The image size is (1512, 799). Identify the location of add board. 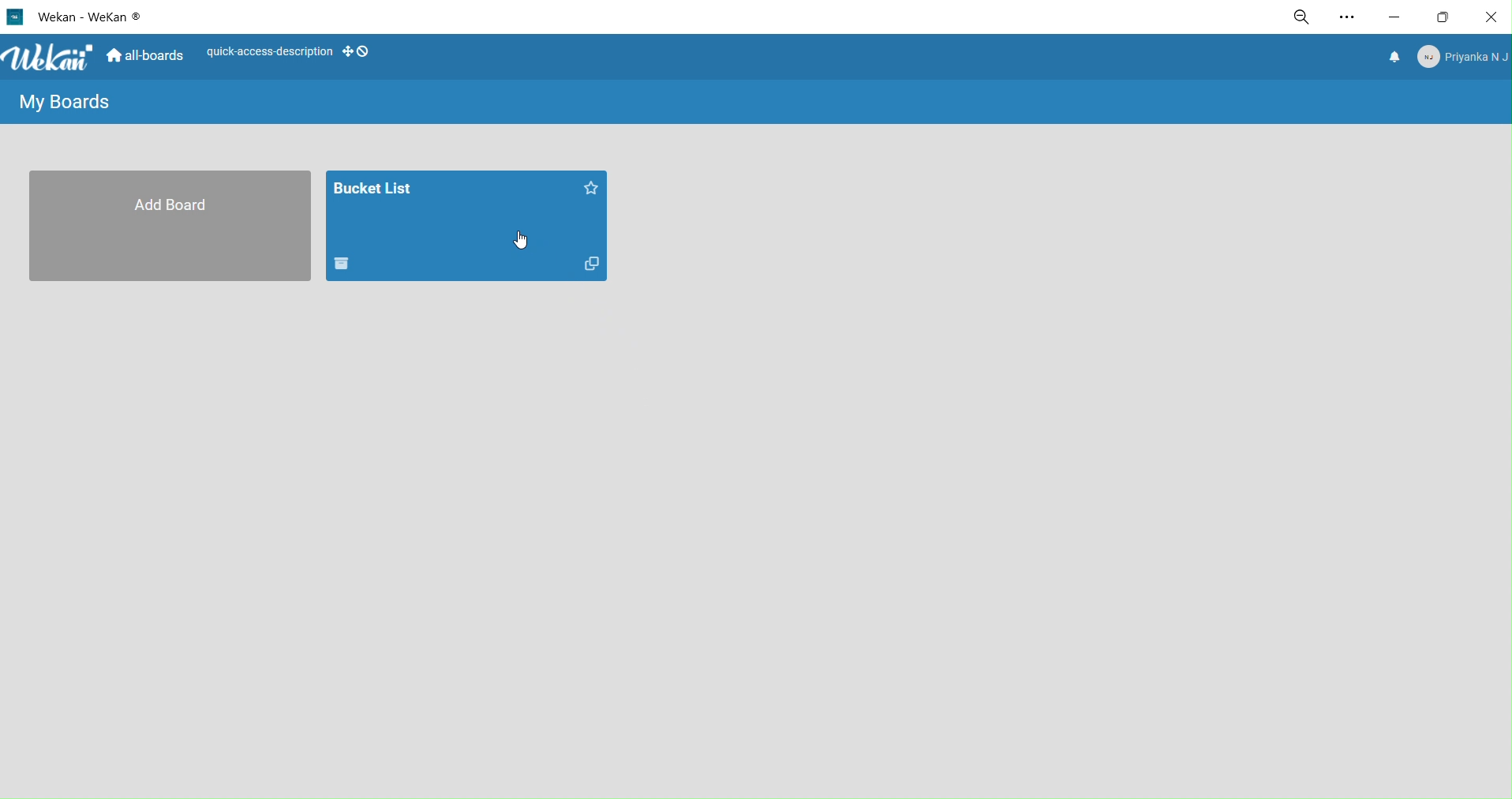
(168, 223).